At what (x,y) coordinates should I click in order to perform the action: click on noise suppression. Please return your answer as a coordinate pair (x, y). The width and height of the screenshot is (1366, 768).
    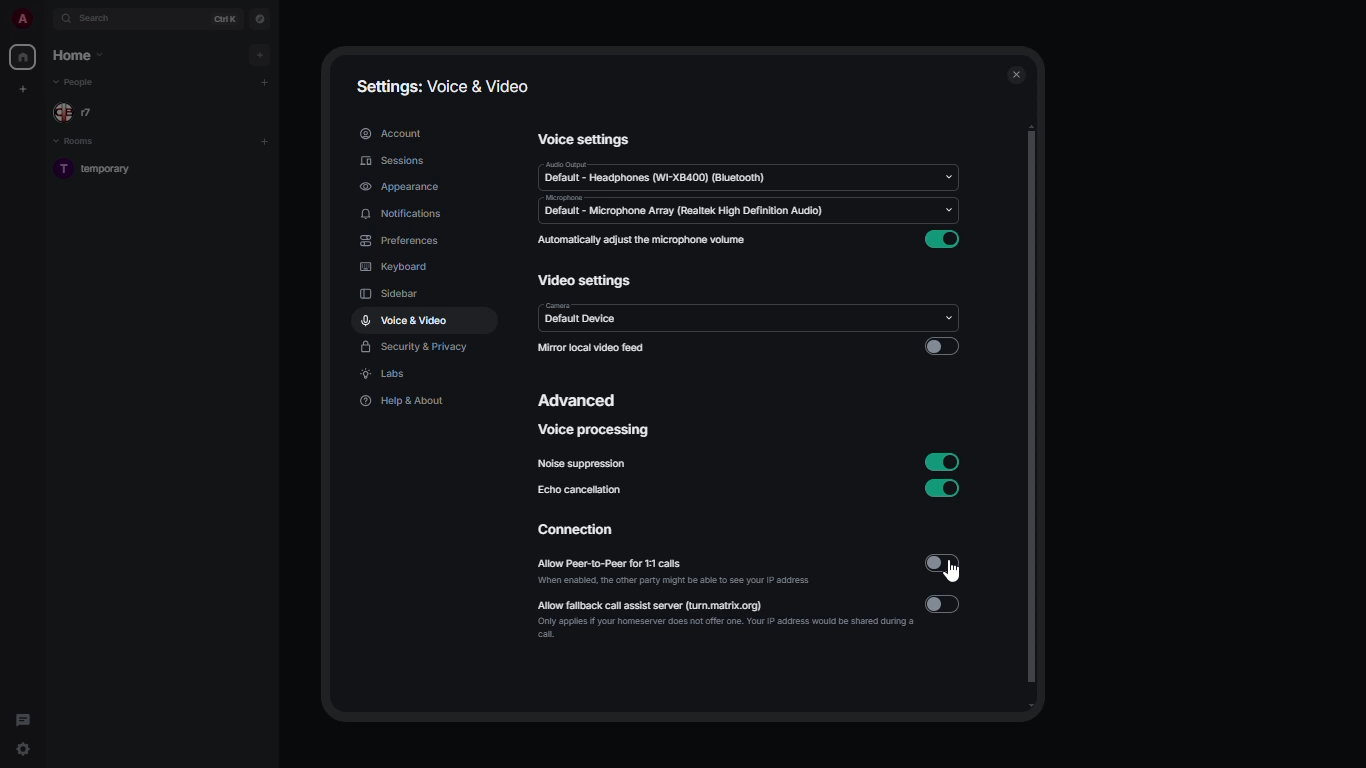
    Looking at the image, I should click on (579, 464).